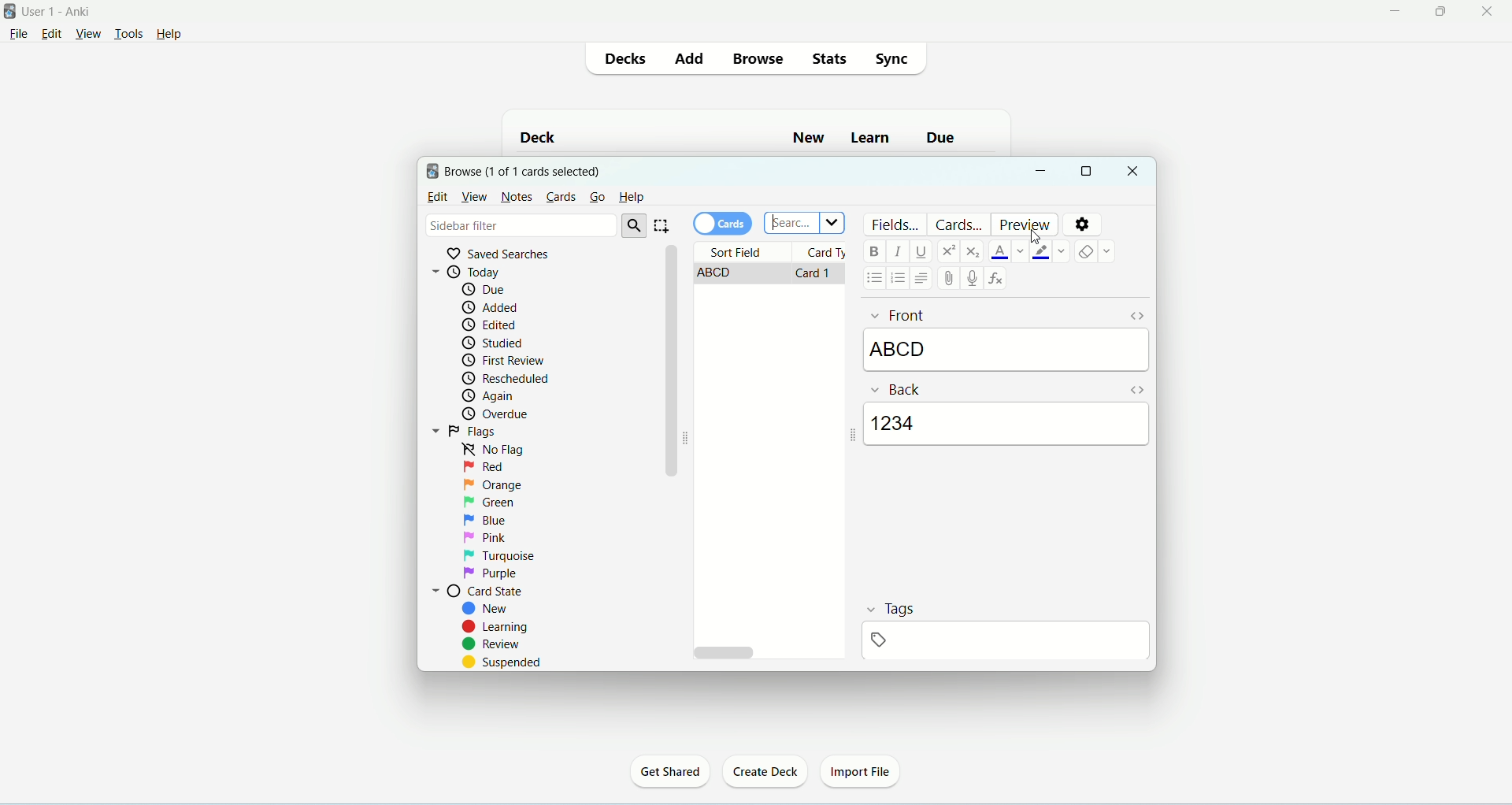  I want to click on blue, so click(485, 521).